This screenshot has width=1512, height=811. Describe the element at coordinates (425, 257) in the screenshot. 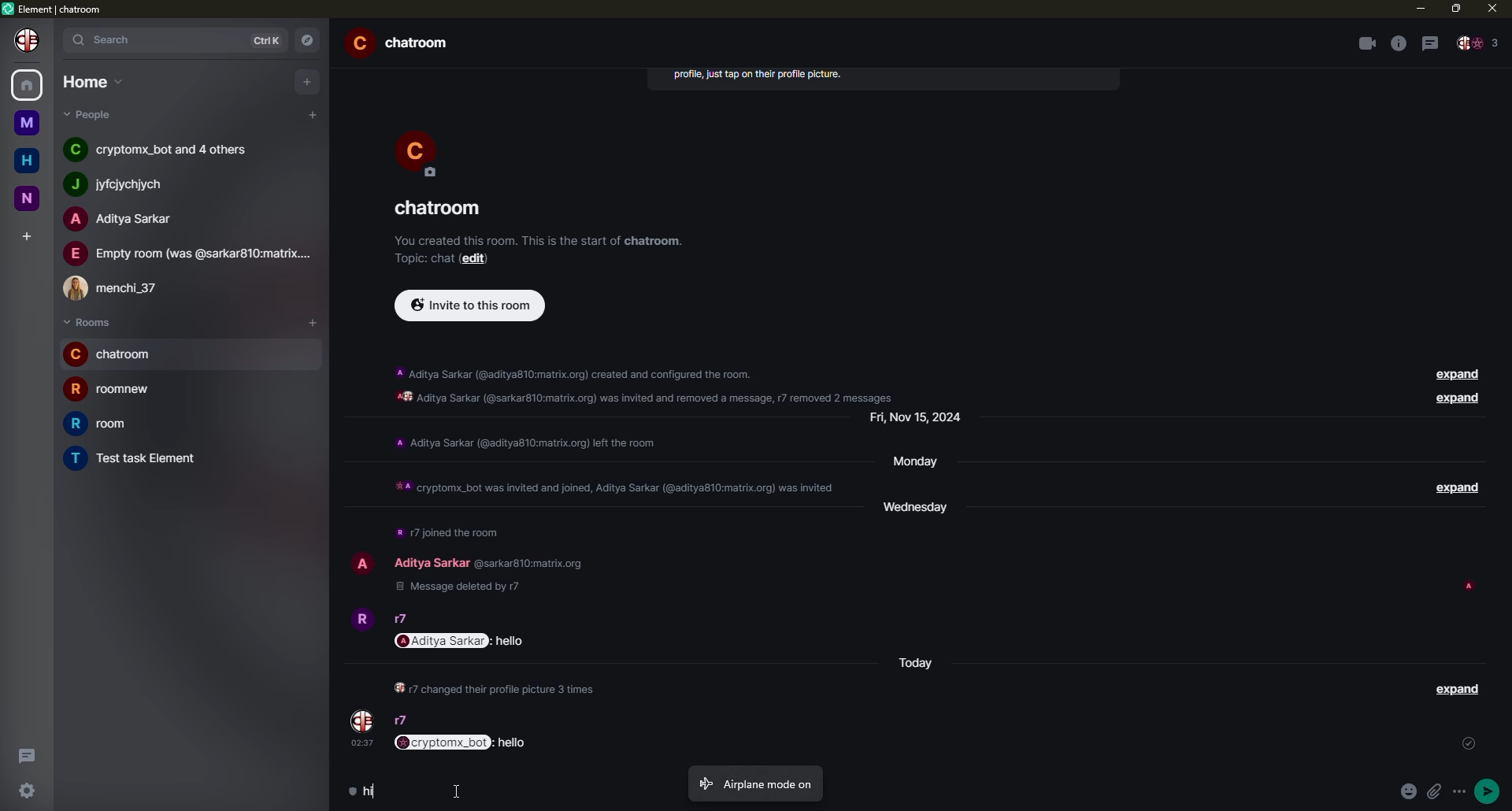

I see `topic` at that location.